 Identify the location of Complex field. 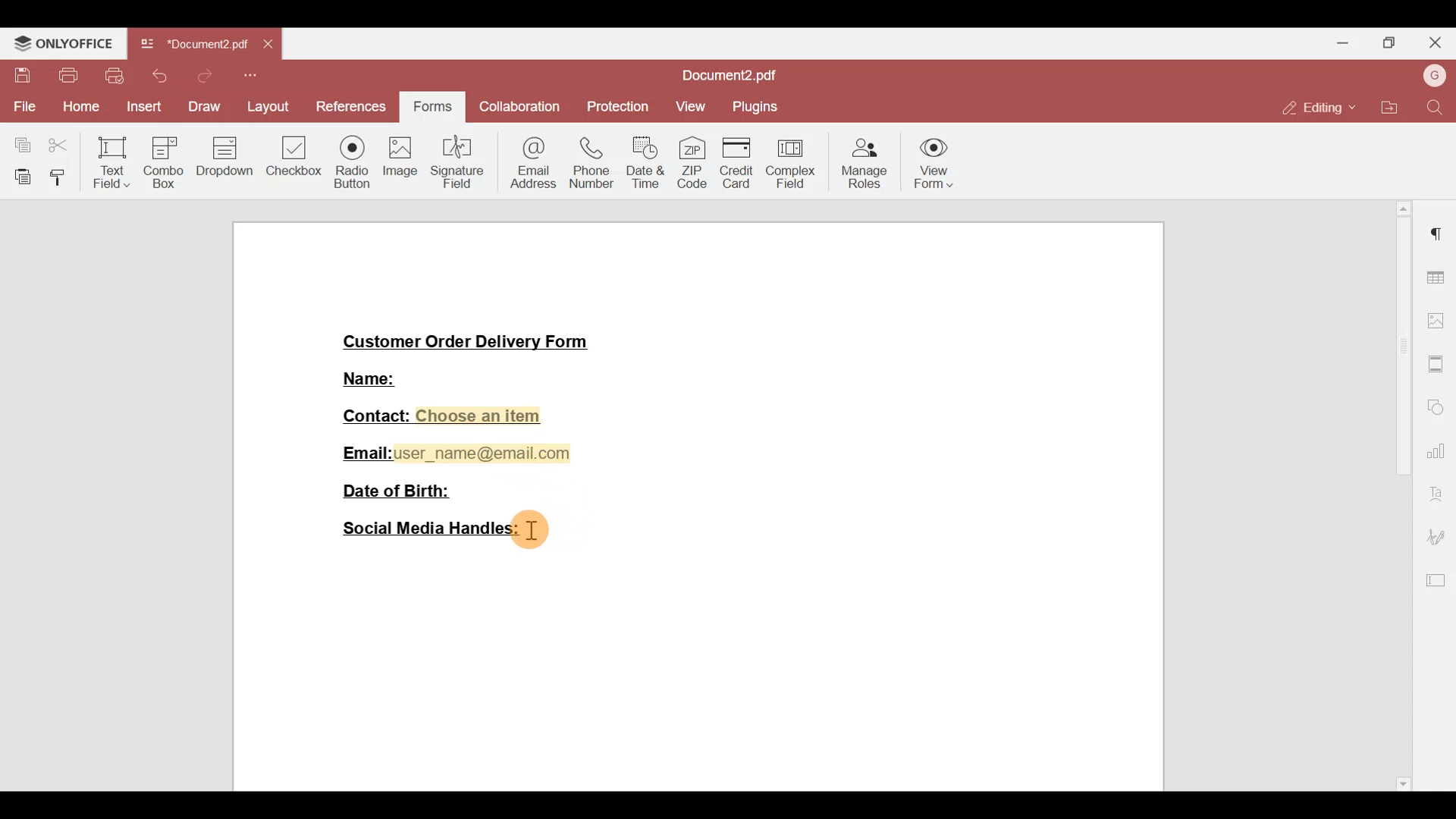
(795, 160).